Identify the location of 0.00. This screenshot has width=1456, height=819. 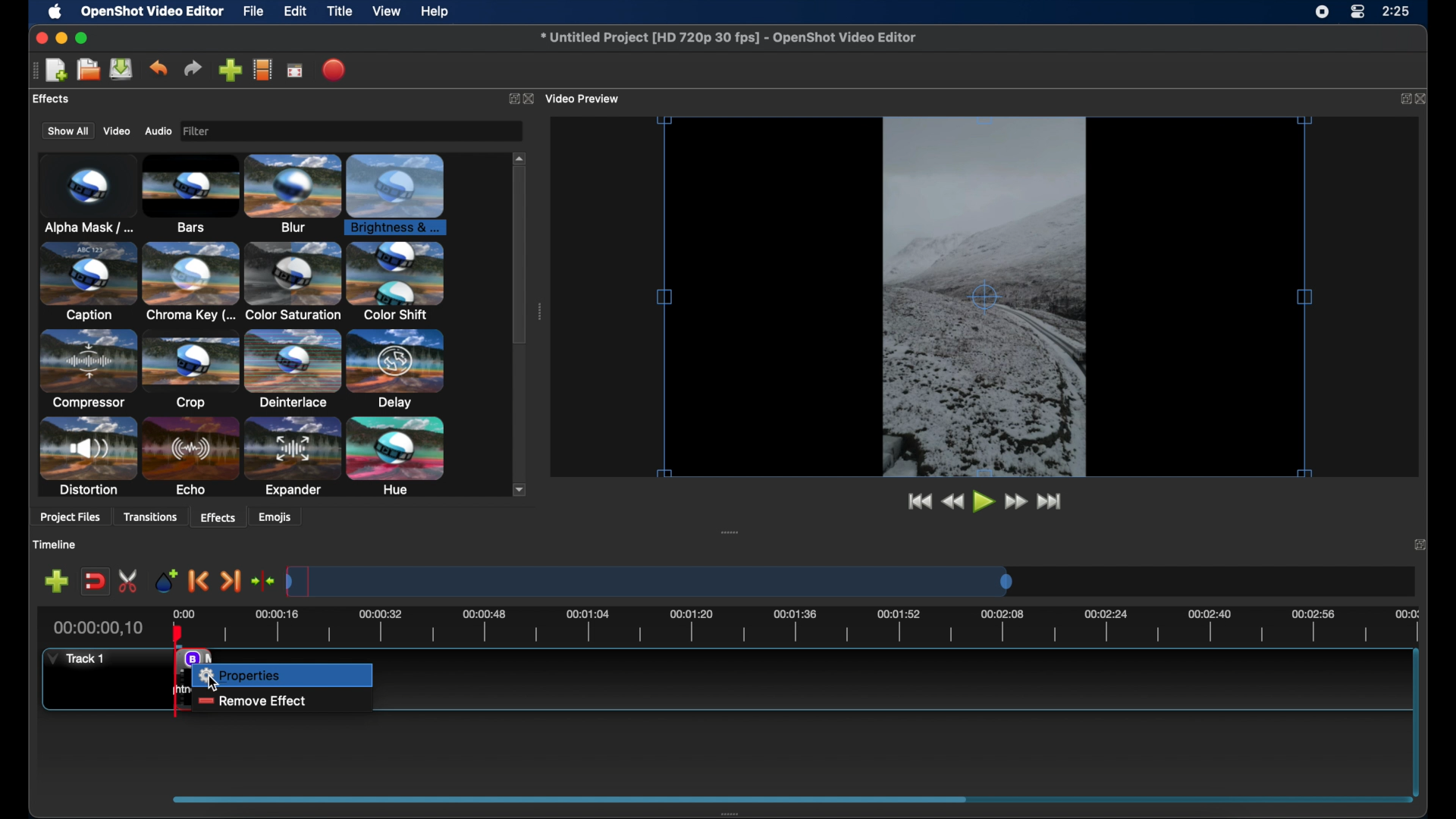
(185, 611).